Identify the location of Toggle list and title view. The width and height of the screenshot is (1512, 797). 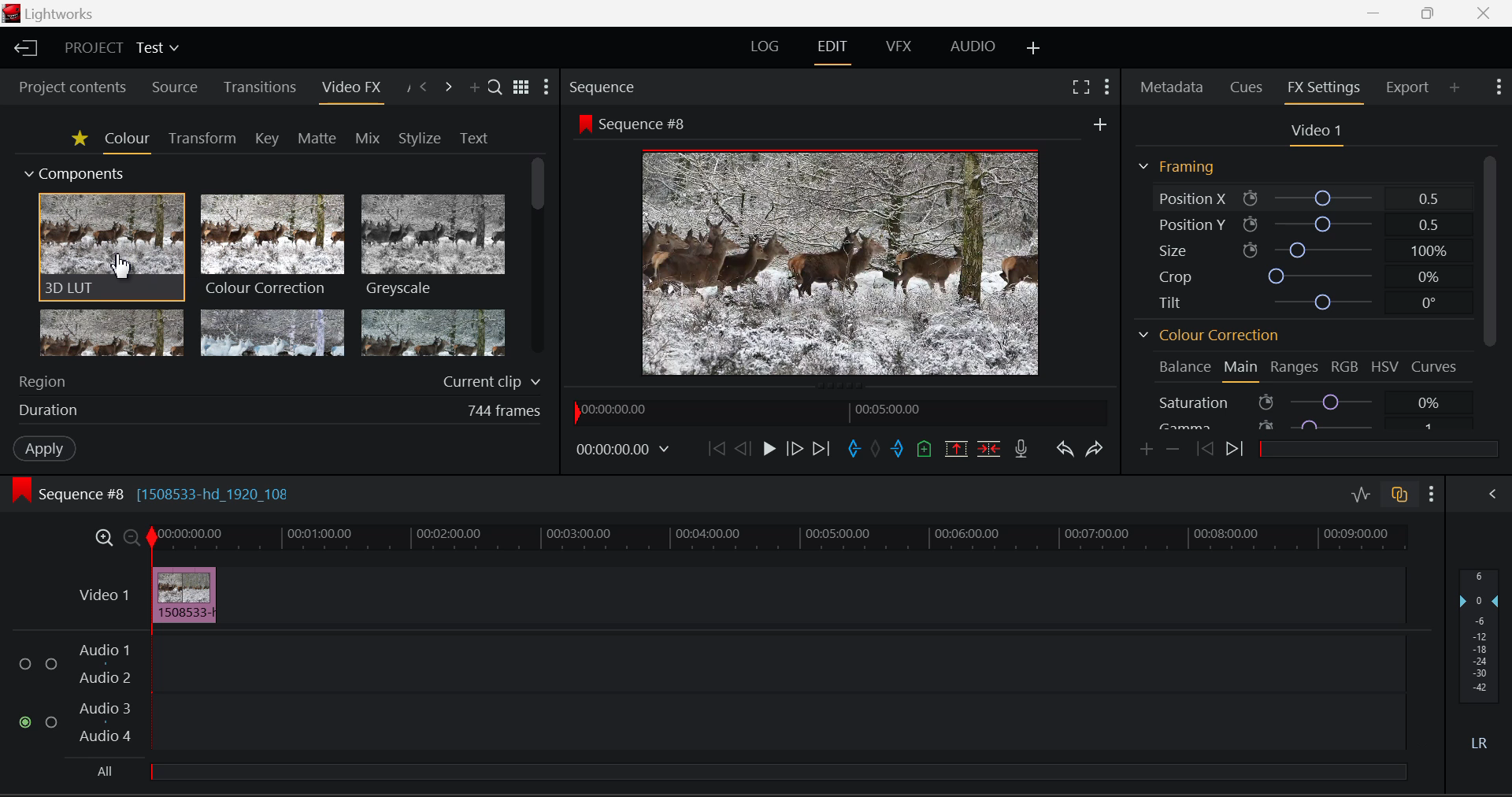
(521, 85).